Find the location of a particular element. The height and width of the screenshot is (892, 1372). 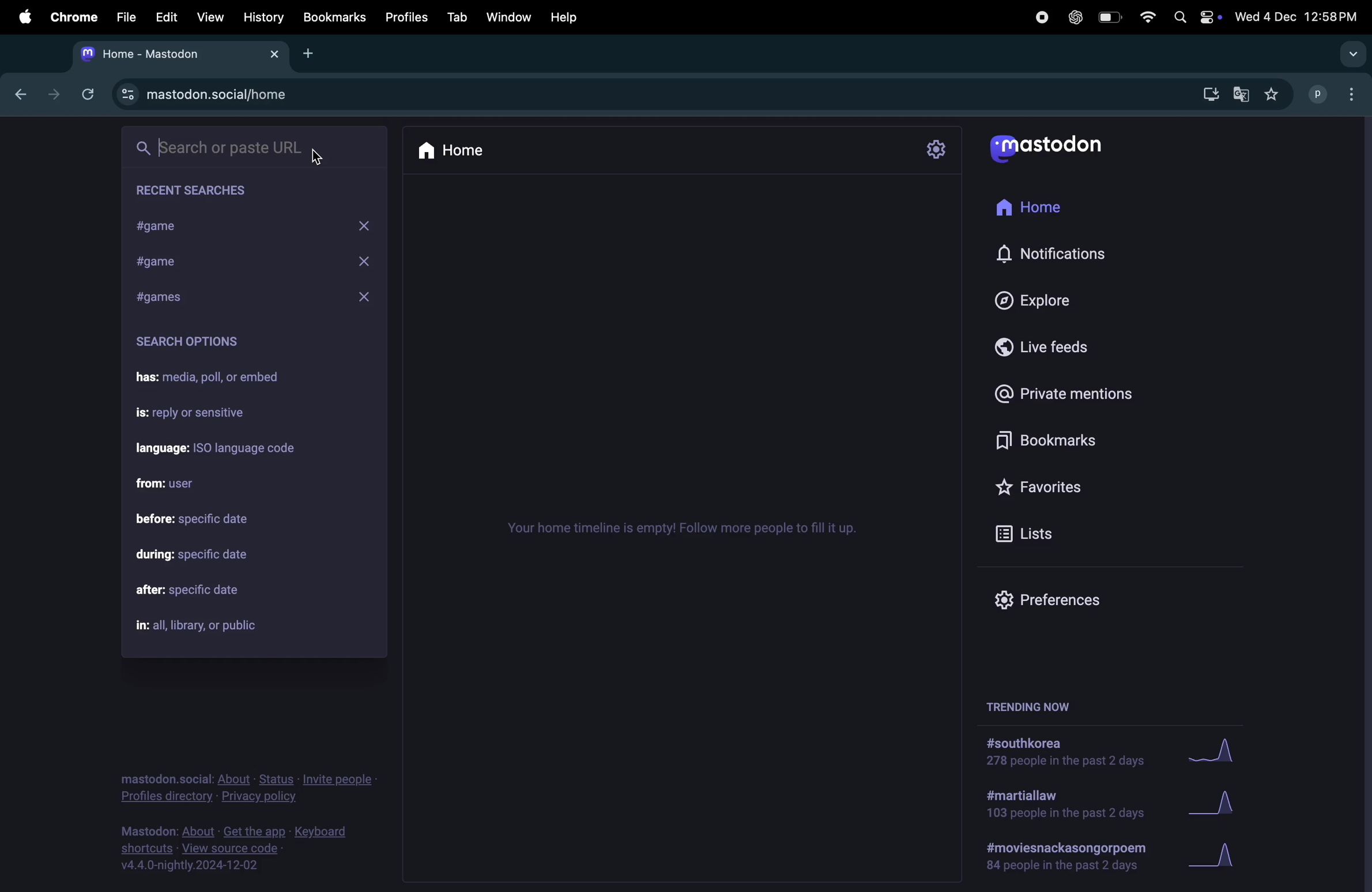

wifi is located at coordinates (1144, 16).